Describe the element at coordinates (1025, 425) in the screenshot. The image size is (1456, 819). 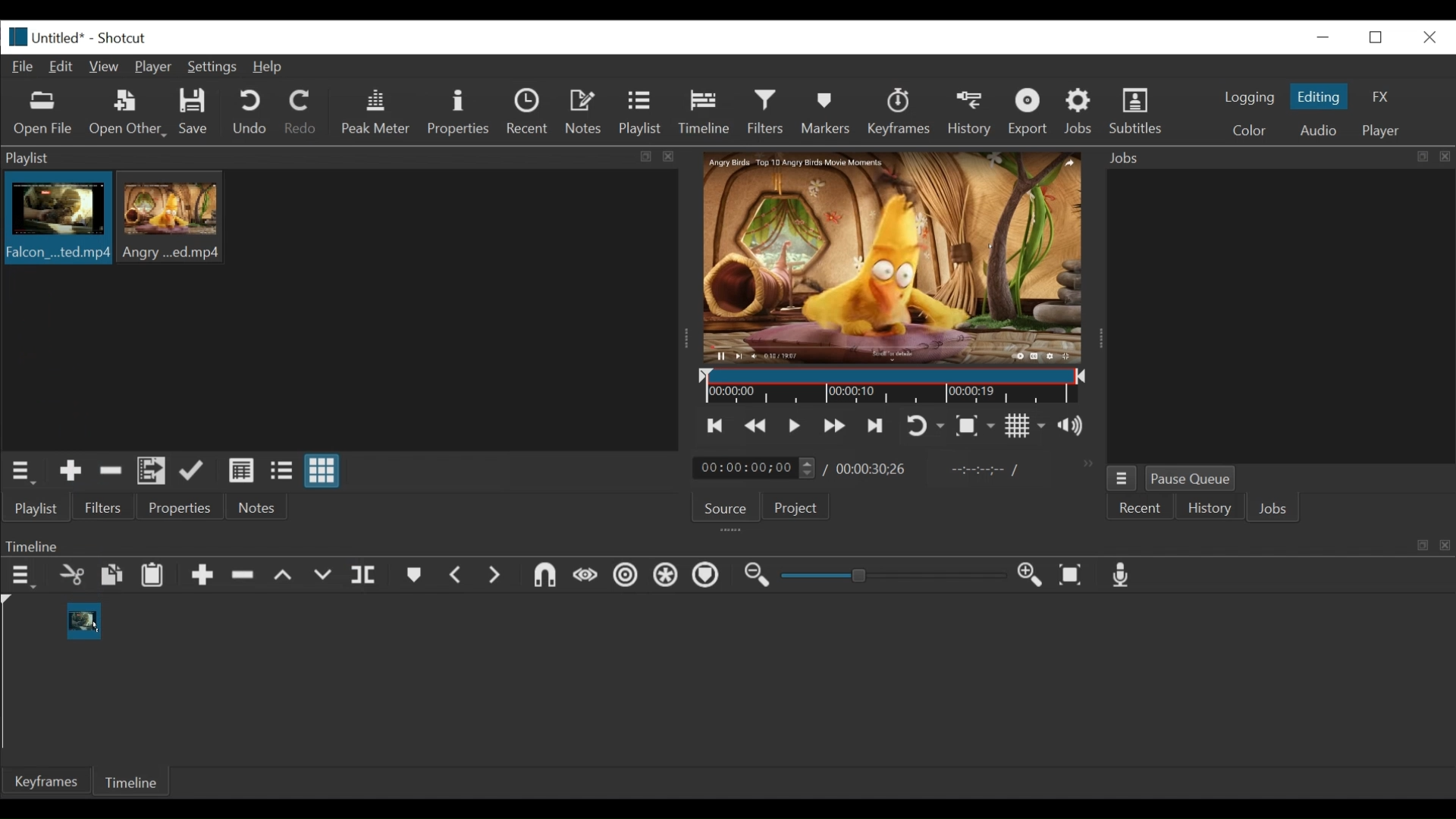
I see `Toggle display grid on player` at that location.